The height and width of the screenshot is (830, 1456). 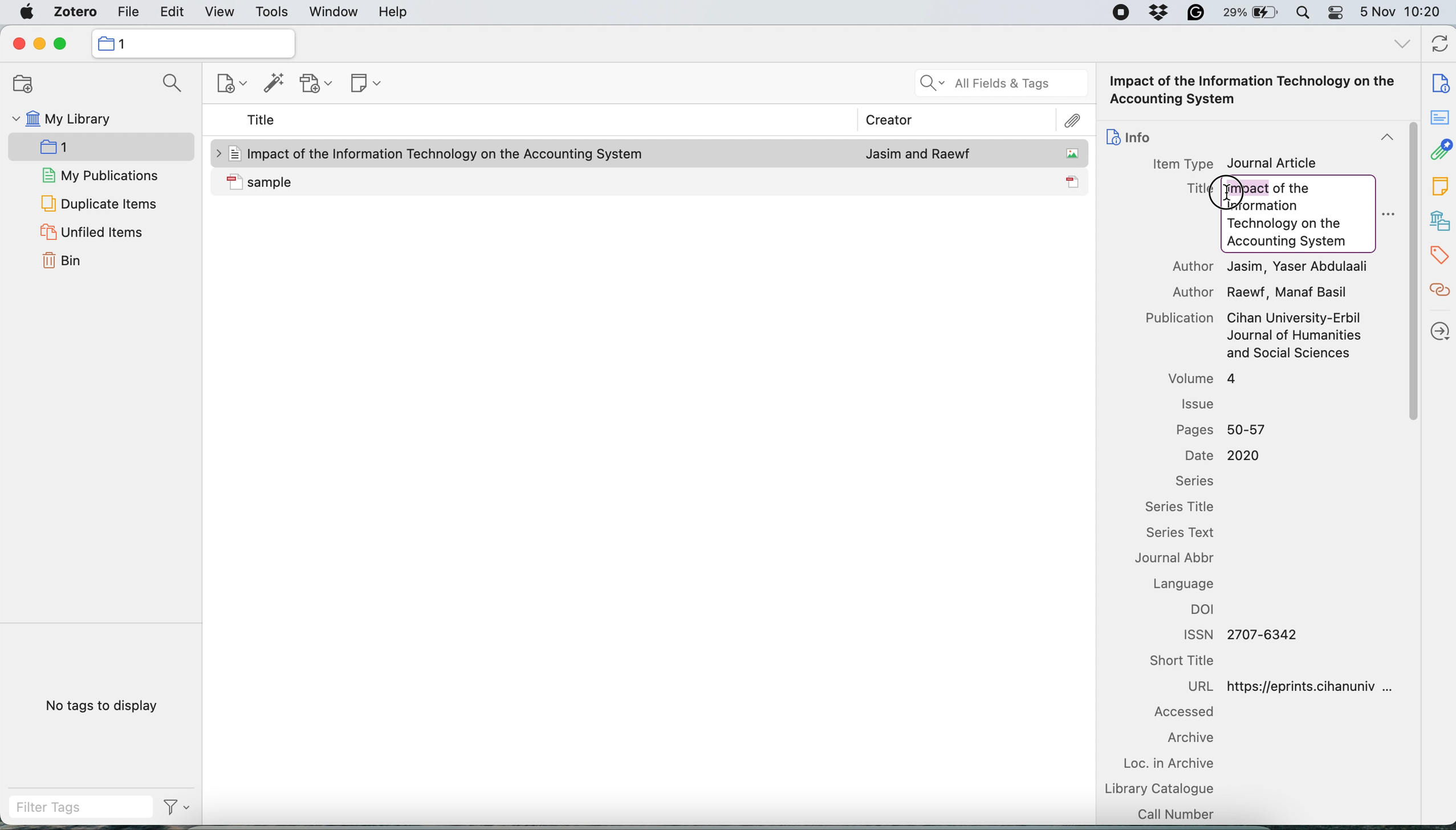 What do you see at coordinates (23, 83) in the screenshot?
I see `new collection` at bounding box center [23, 83].